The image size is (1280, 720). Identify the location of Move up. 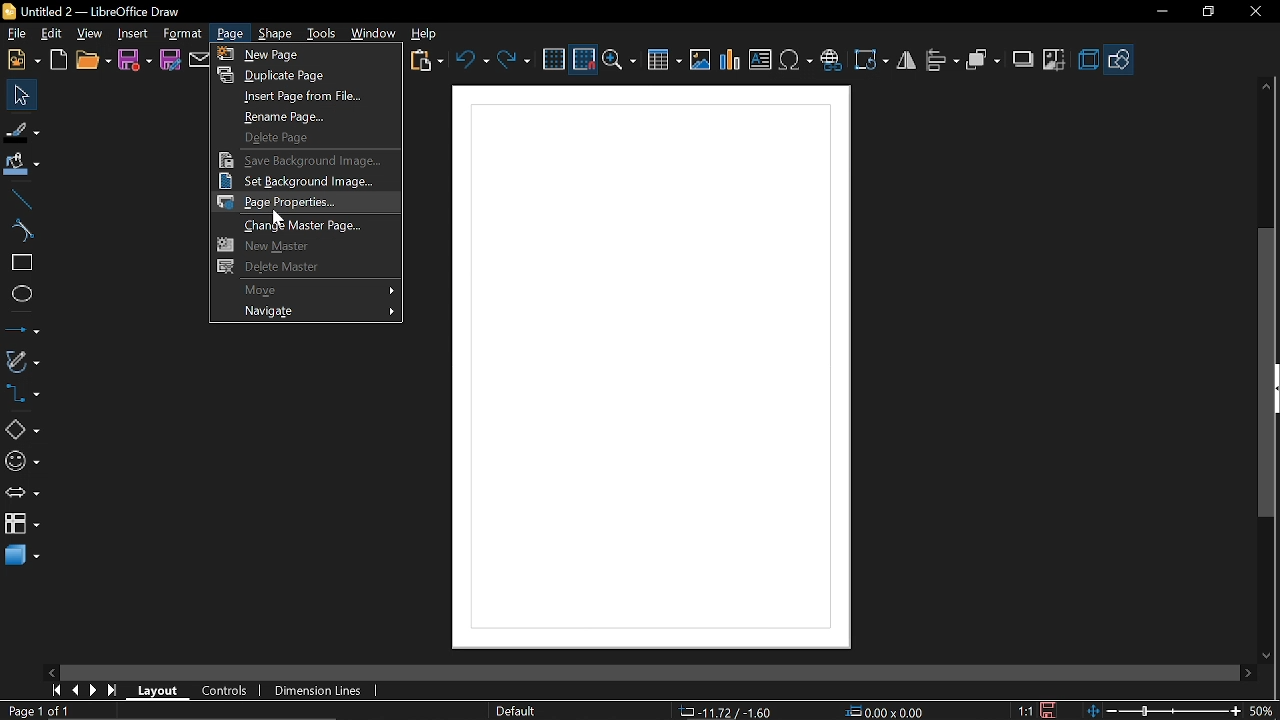
(1269, 86).